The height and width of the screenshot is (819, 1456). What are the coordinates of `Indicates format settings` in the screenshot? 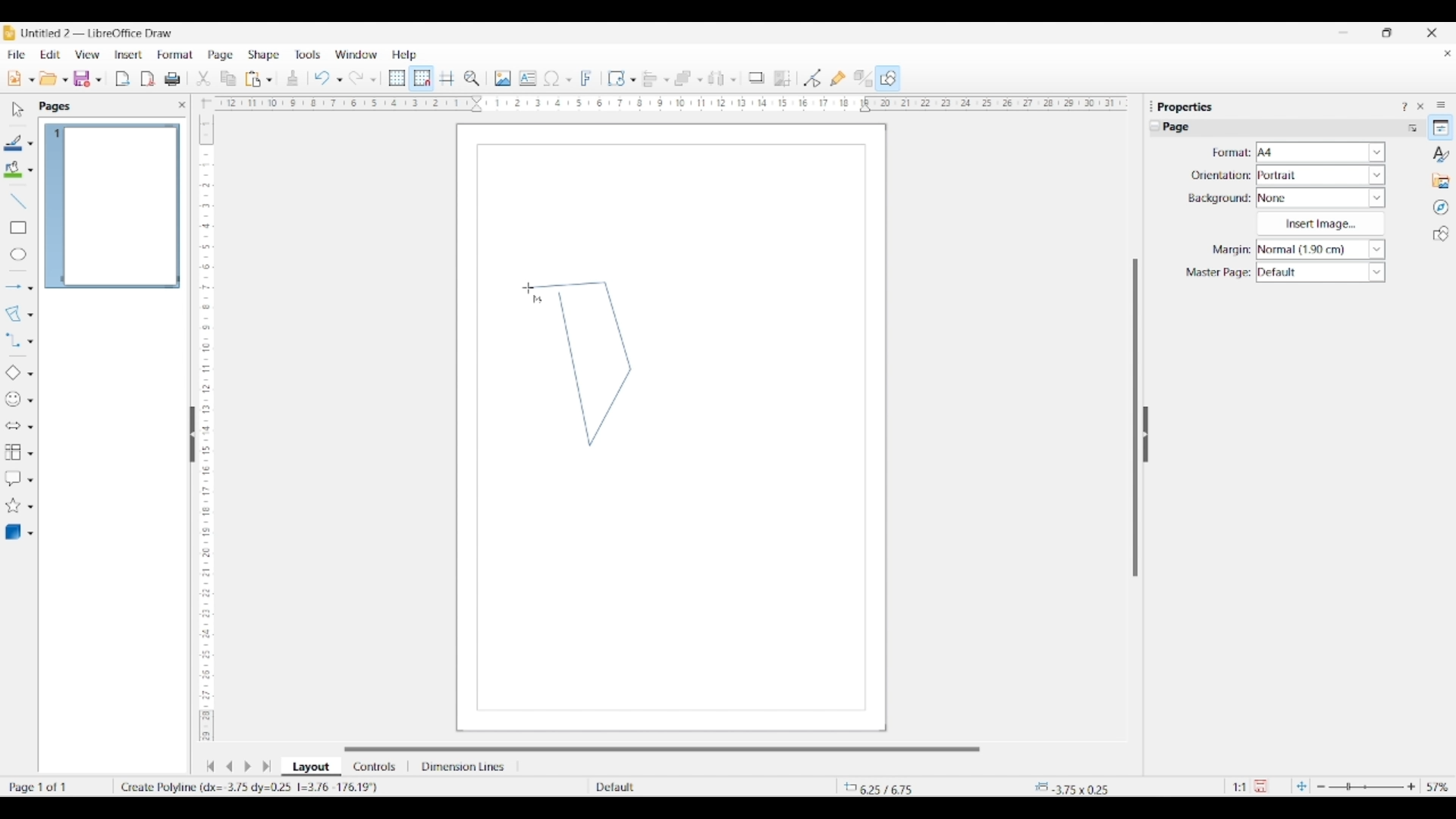 It's located at (1230, 153).